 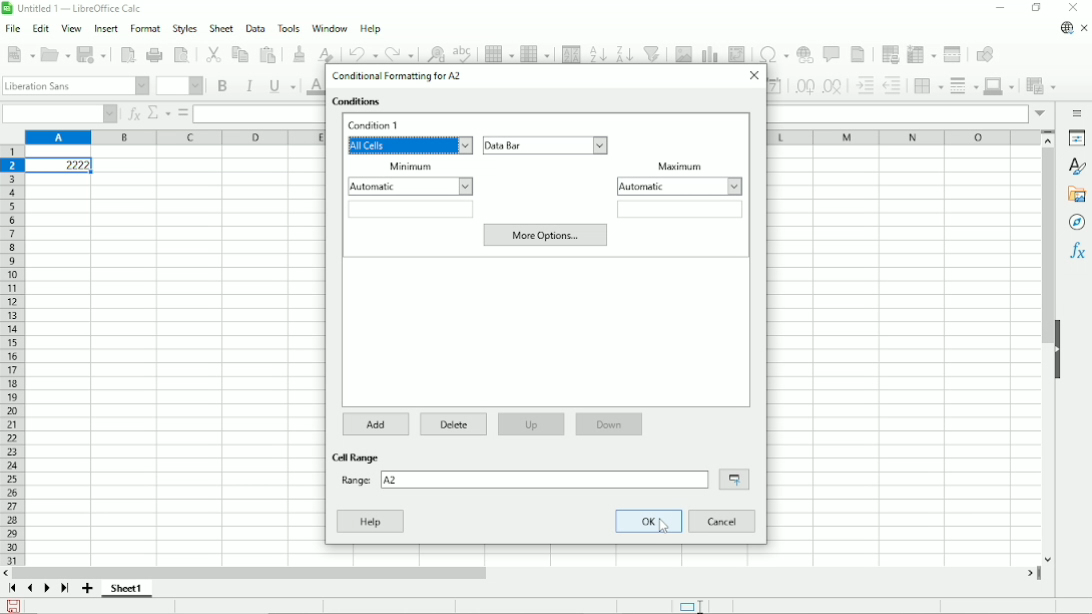 What do you see at coordinates (180, 87) in the screenshot?
I see `Font size` at bounding box center [180, 87].